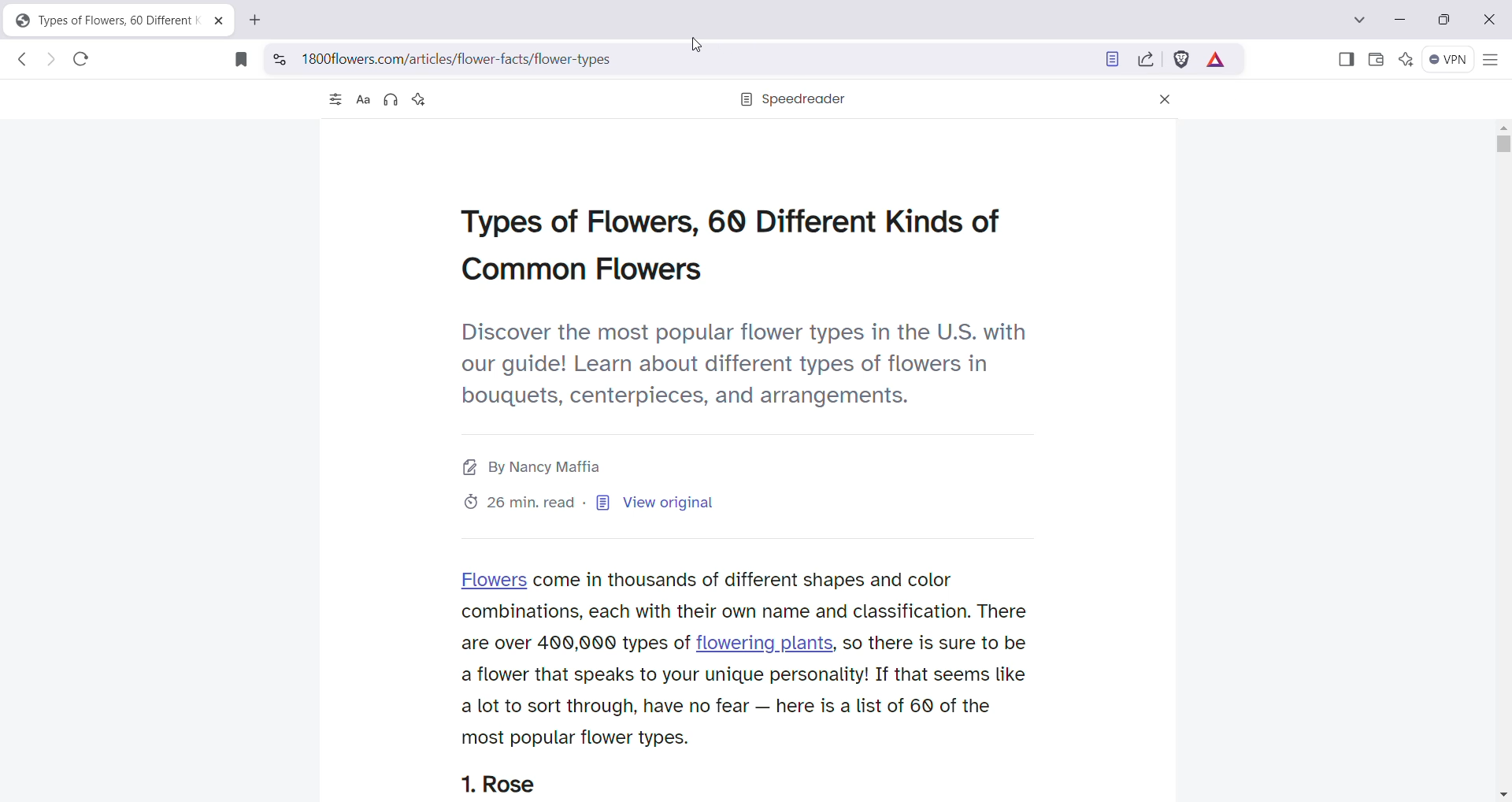 This screenshot has height=802, width=1512. What do you see at coordinates (256, 21) in the screenshot?
I see `New Tab` at bounding box center [256, 21].